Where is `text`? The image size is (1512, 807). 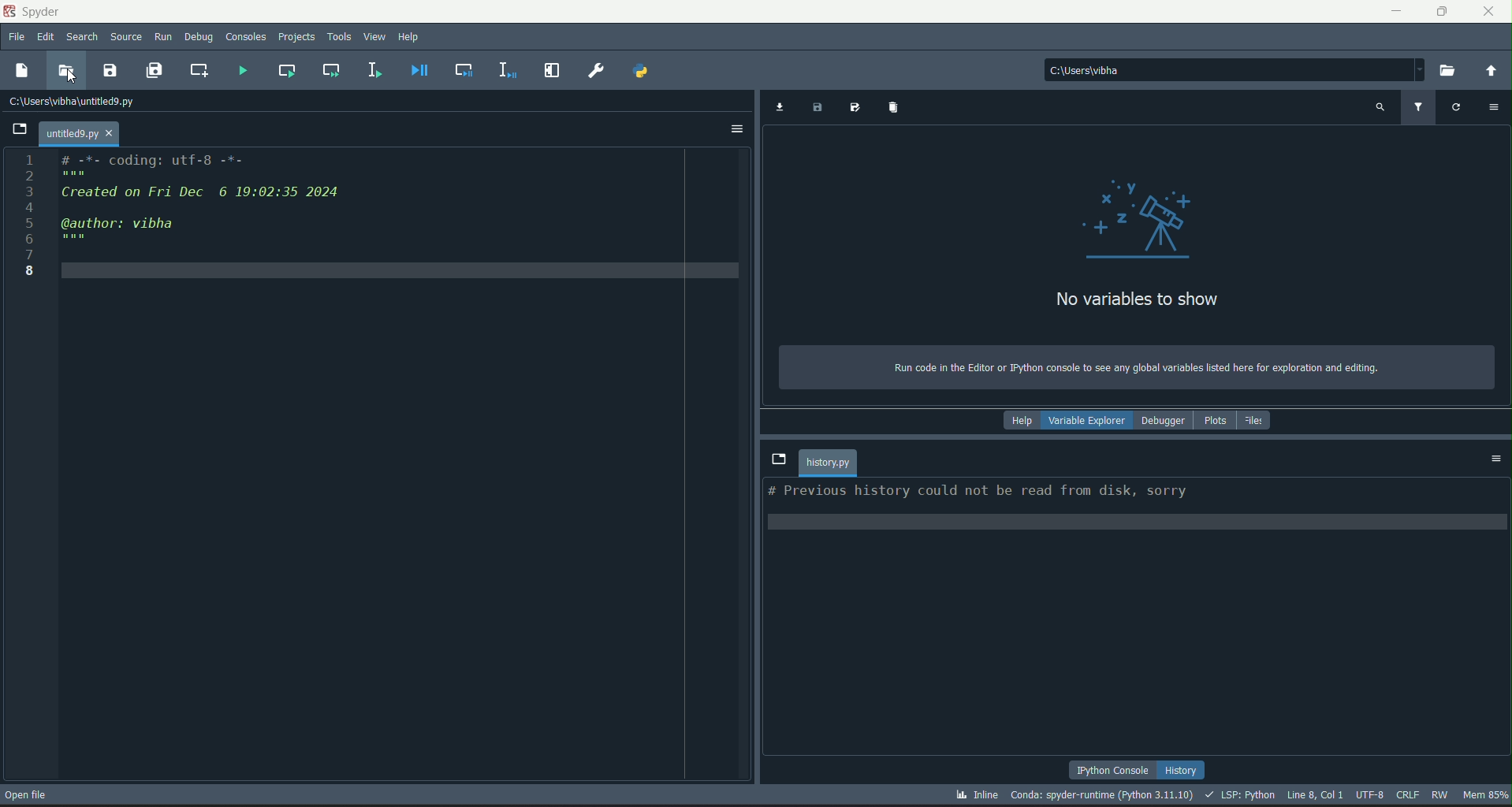
text is located at coordinates (1127, 367).